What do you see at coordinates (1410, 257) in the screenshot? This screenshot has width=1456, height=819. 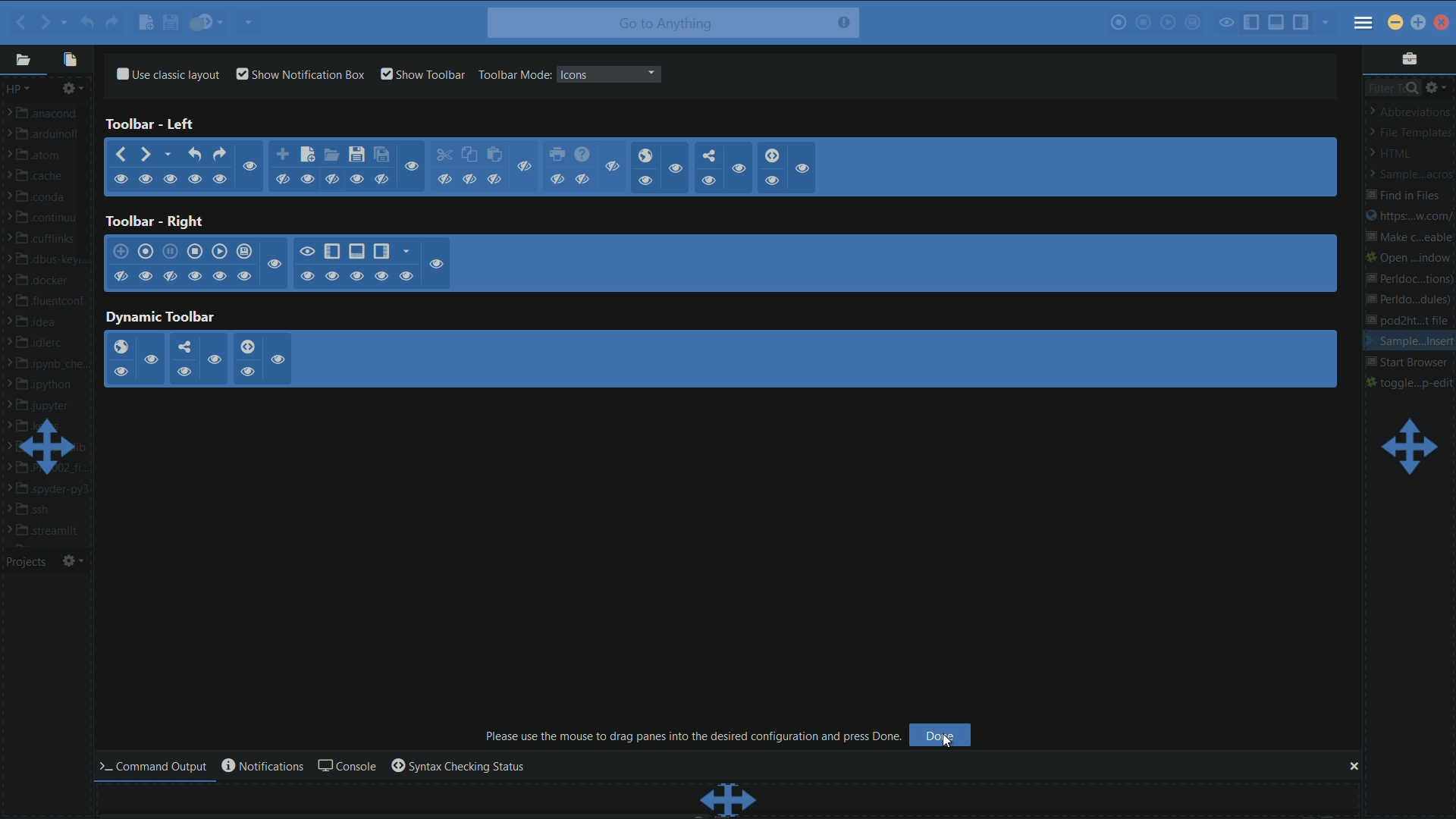 I see `open window` at bounding box center [1410, 257].